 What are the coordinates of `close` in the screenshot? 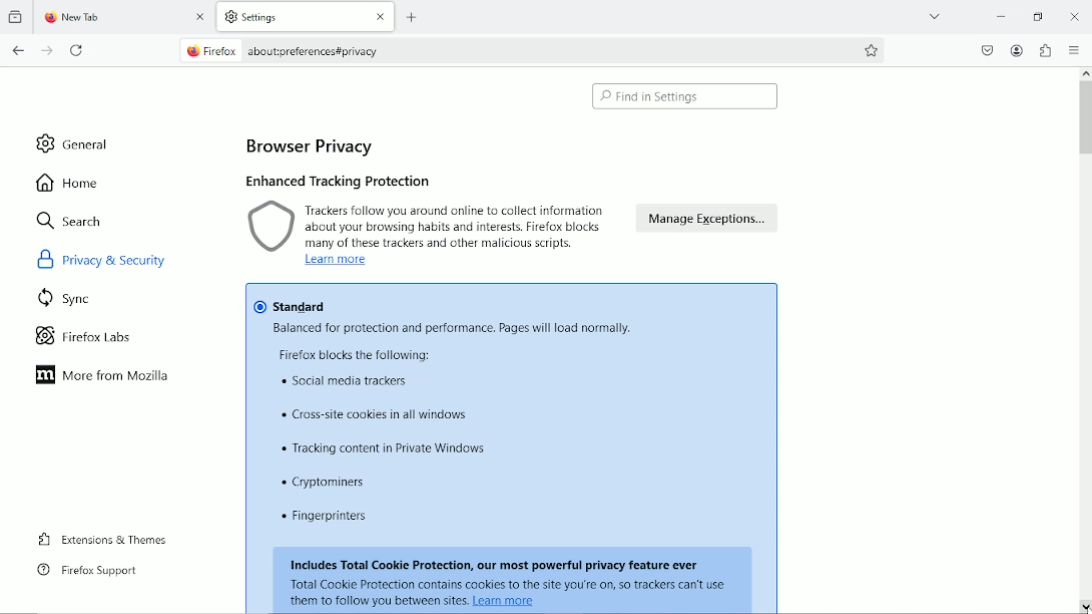 It's located at (378, 18).